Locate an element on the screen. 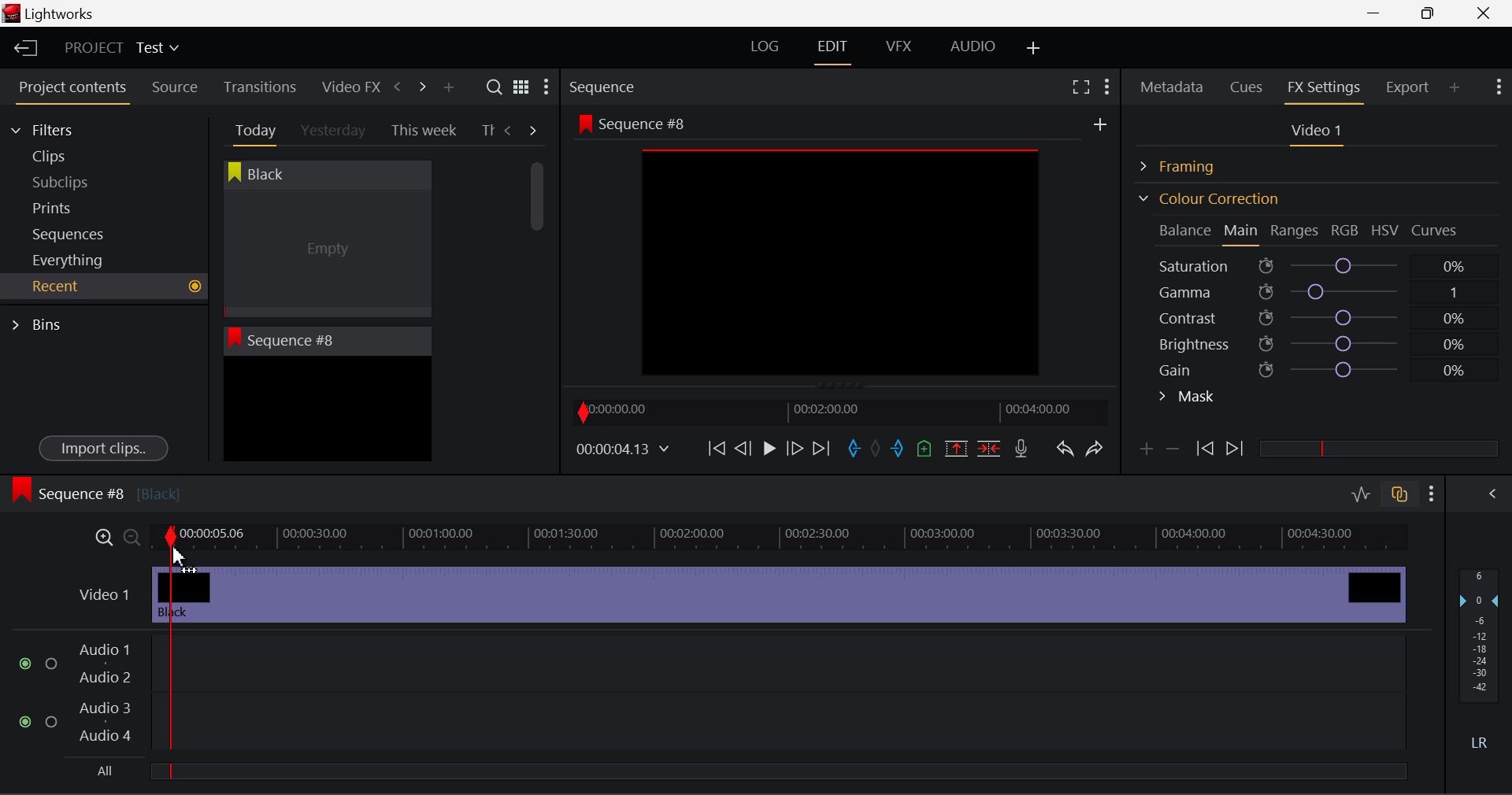  Main Tab Open is located at coordinates (1242, 232).